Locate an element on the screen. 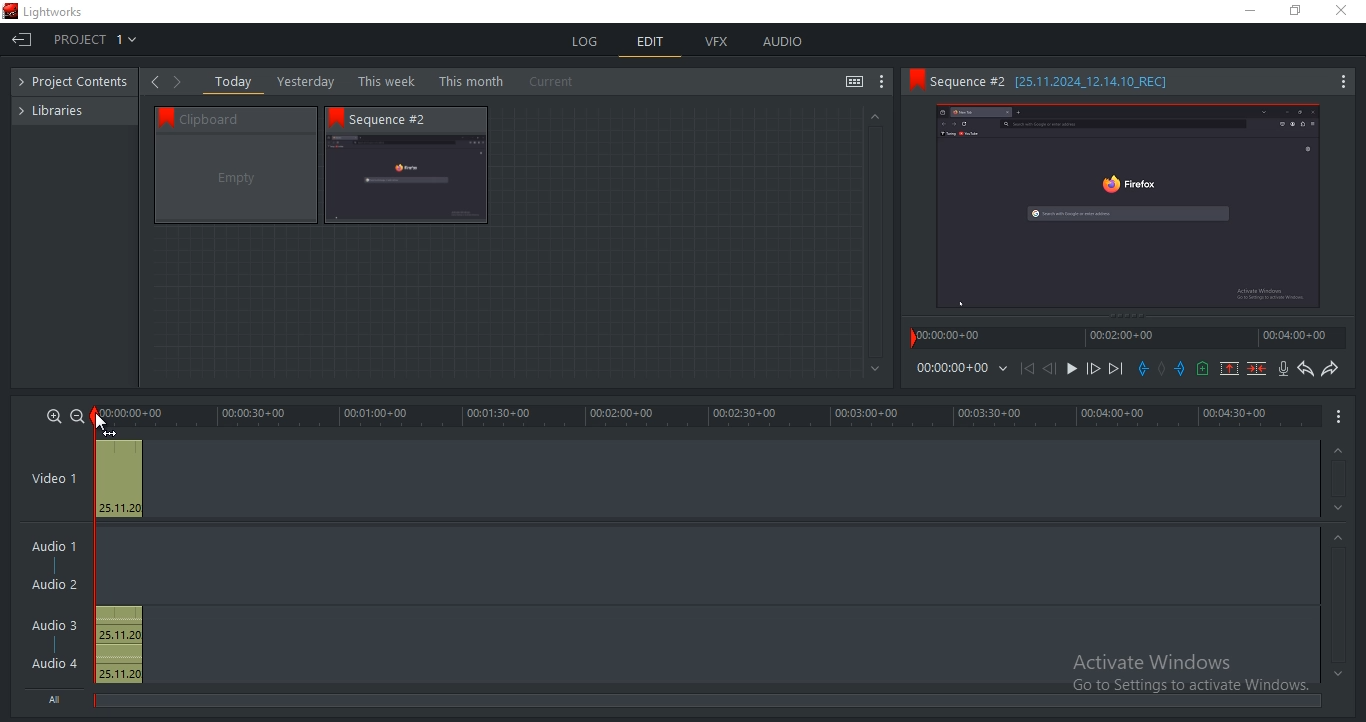 Image resolution: width=1366 pixels, height=722 pixels. Audio 1 is located at coordinates (50, 548).